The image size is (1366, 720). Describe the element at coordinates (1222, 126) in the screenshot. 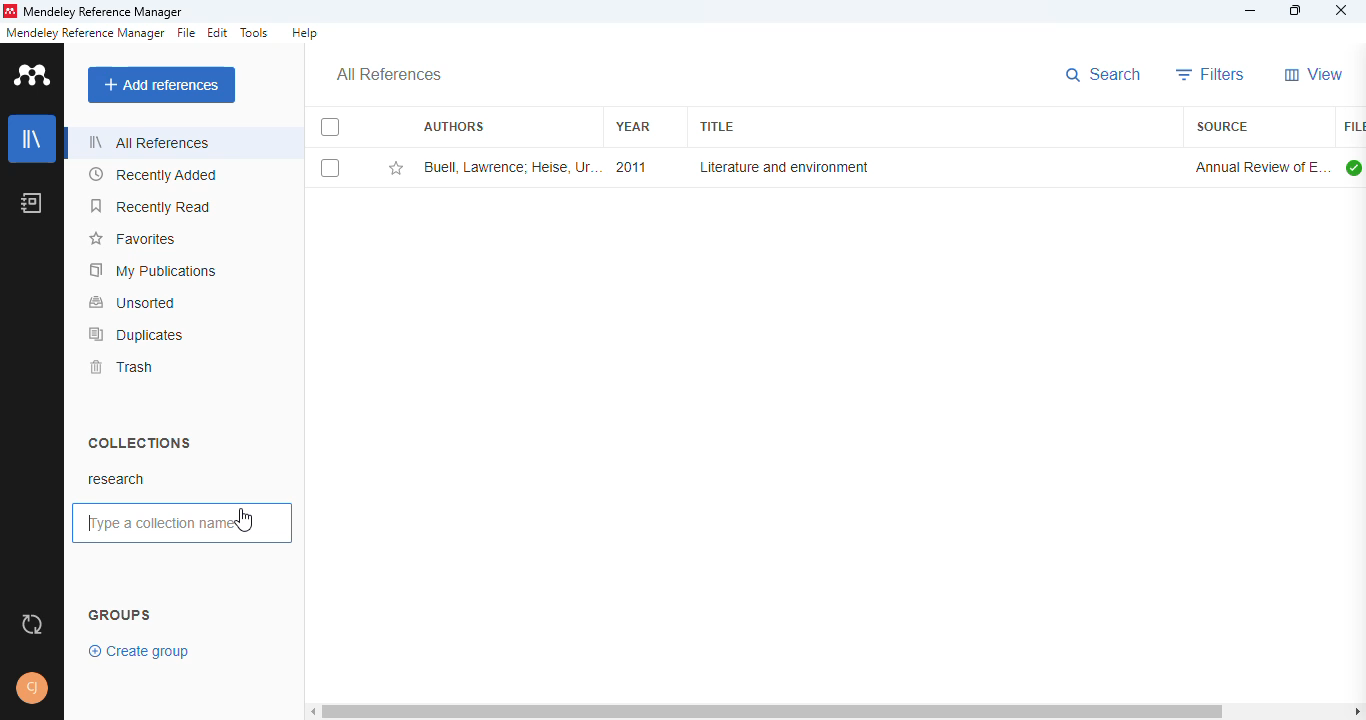

I see `source` at that location.